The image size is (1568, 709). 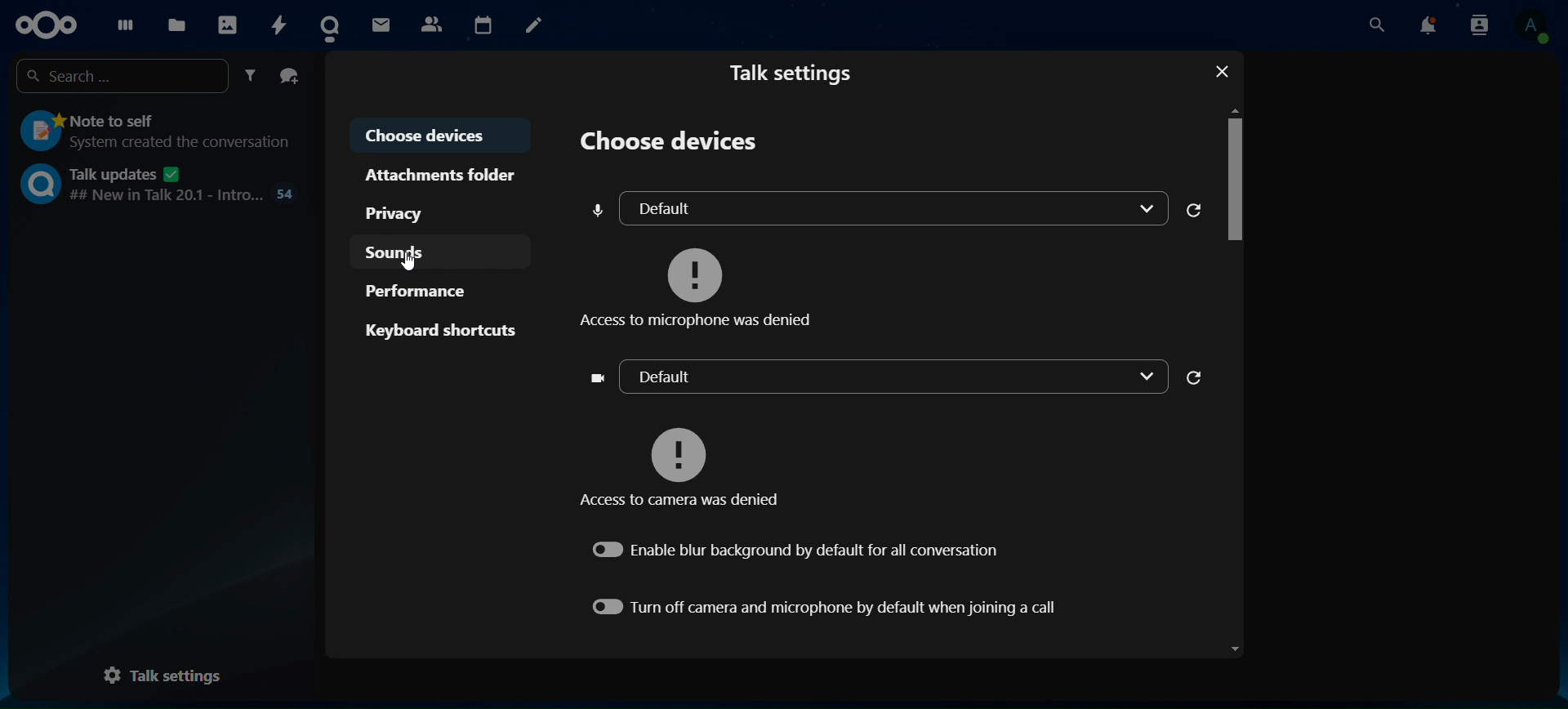 I want to click on Scrollbar, so click(x=1239, y=176).